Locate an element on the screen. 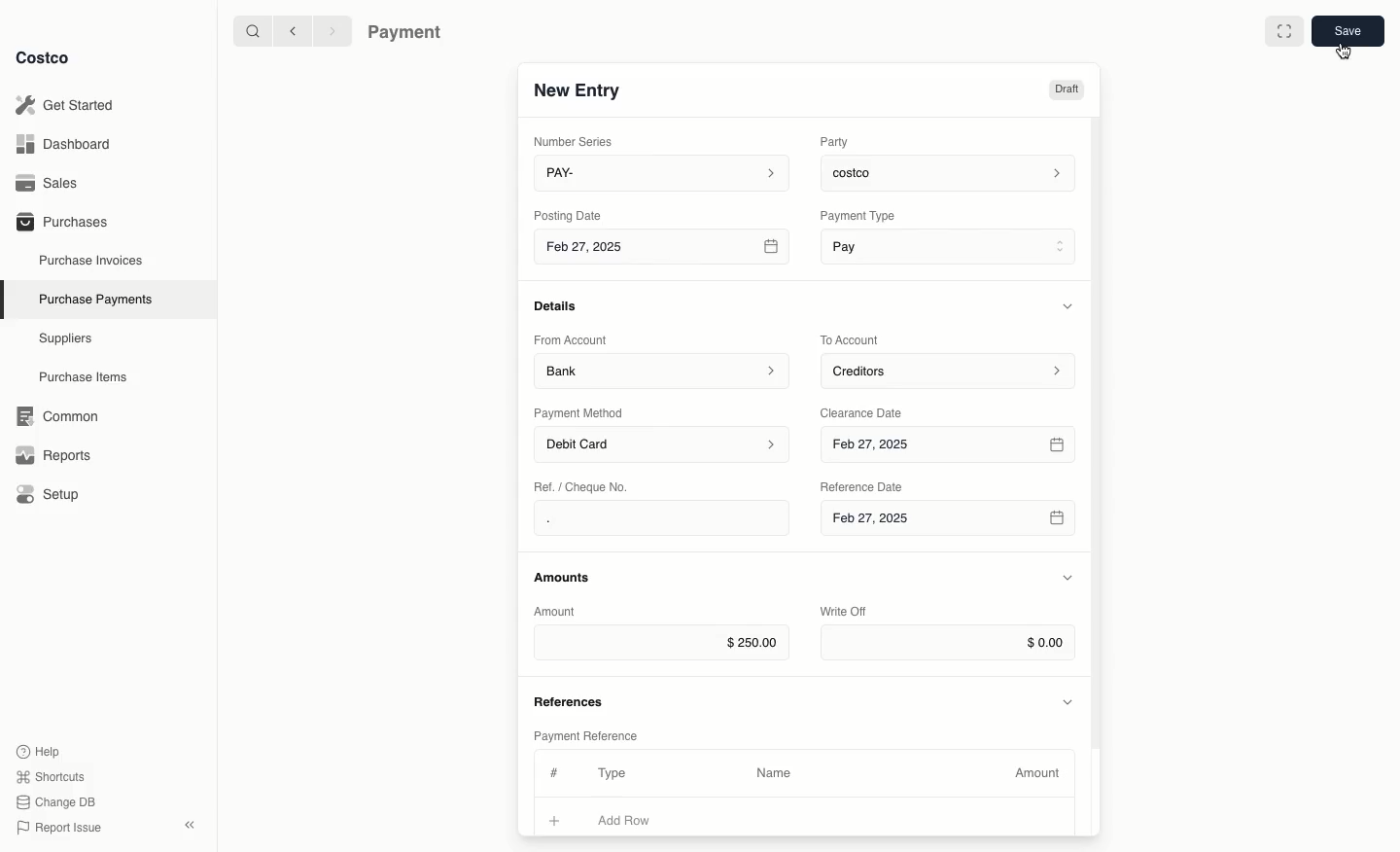  Clearance Date is located at coordinates (868, 411).